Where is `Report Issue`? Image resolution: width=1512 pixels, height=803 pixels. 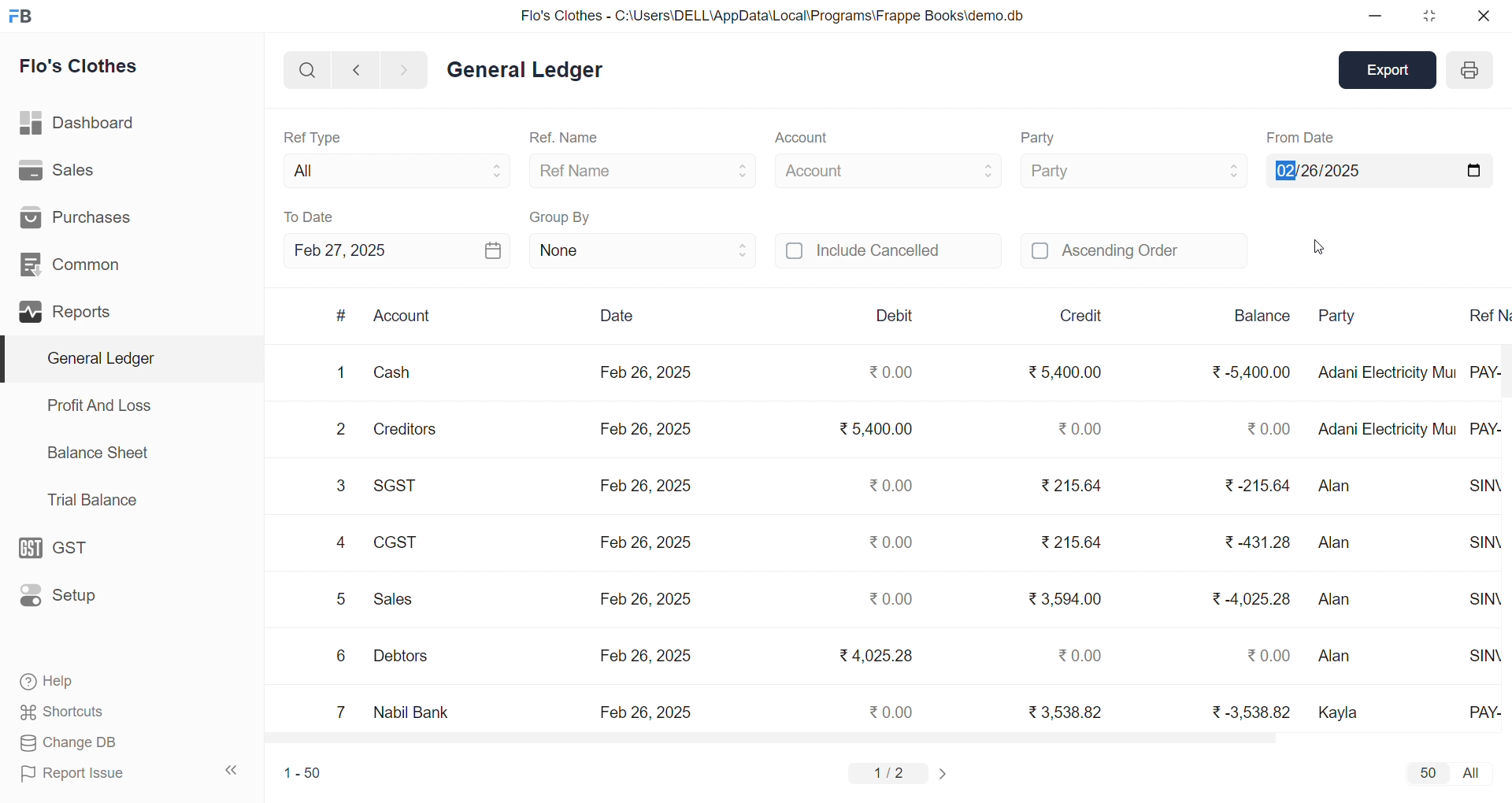
Report Issue is located at coordinates (74, 774).